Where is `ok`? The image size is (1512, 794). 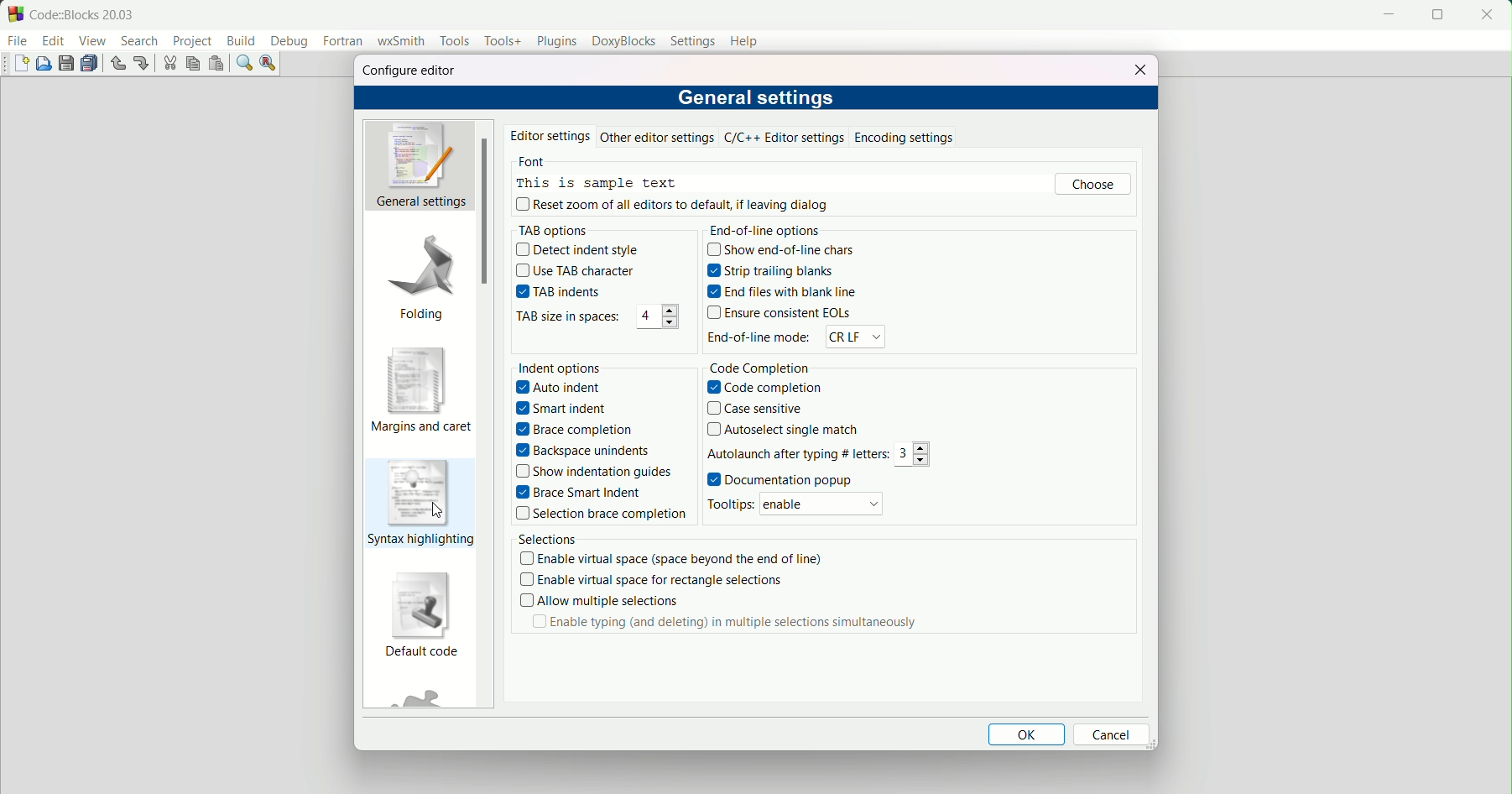
ok is located at coordinates (1028, 735).